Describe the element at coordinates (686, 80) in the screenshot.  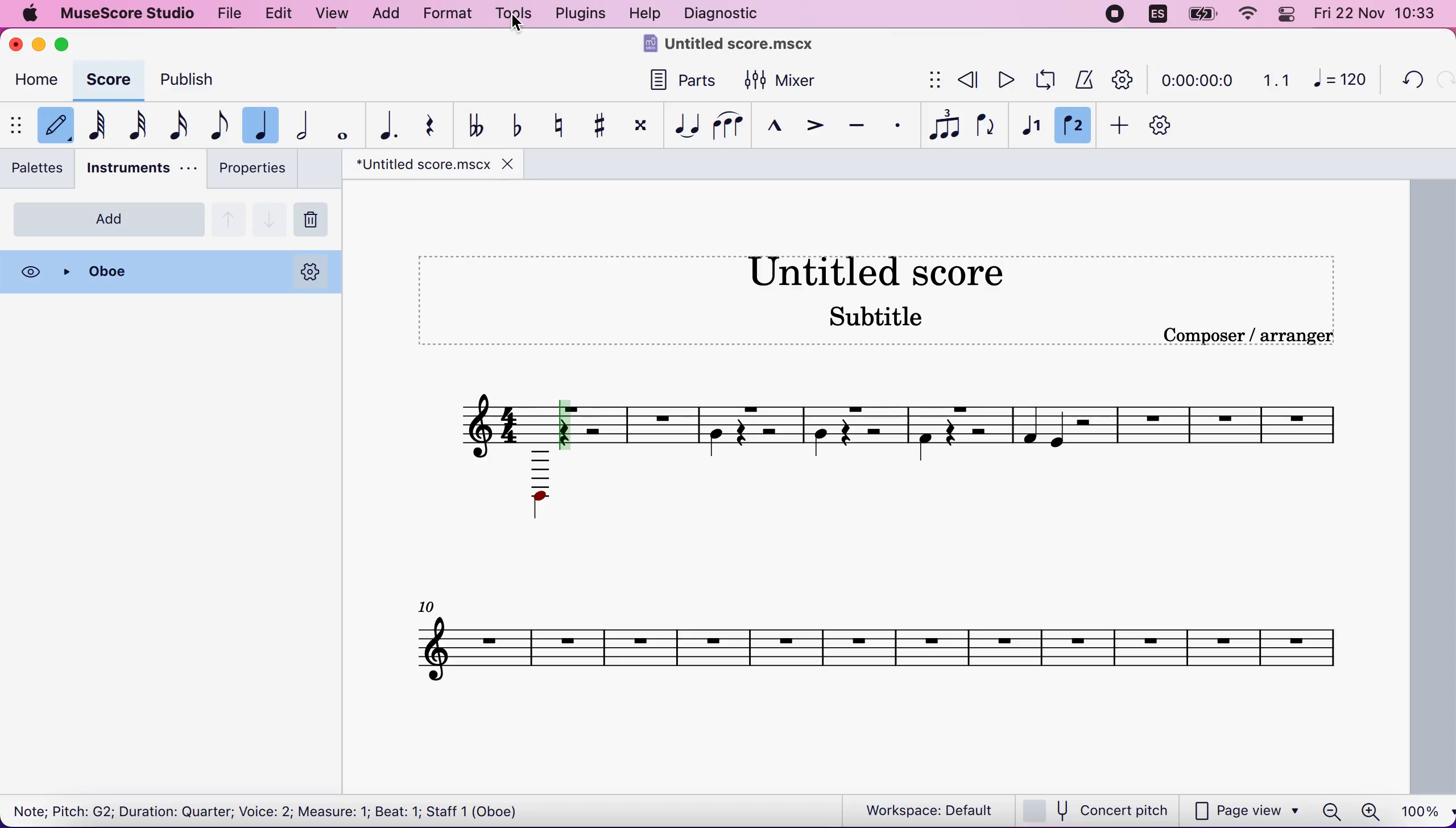
I see `parts` at that location.